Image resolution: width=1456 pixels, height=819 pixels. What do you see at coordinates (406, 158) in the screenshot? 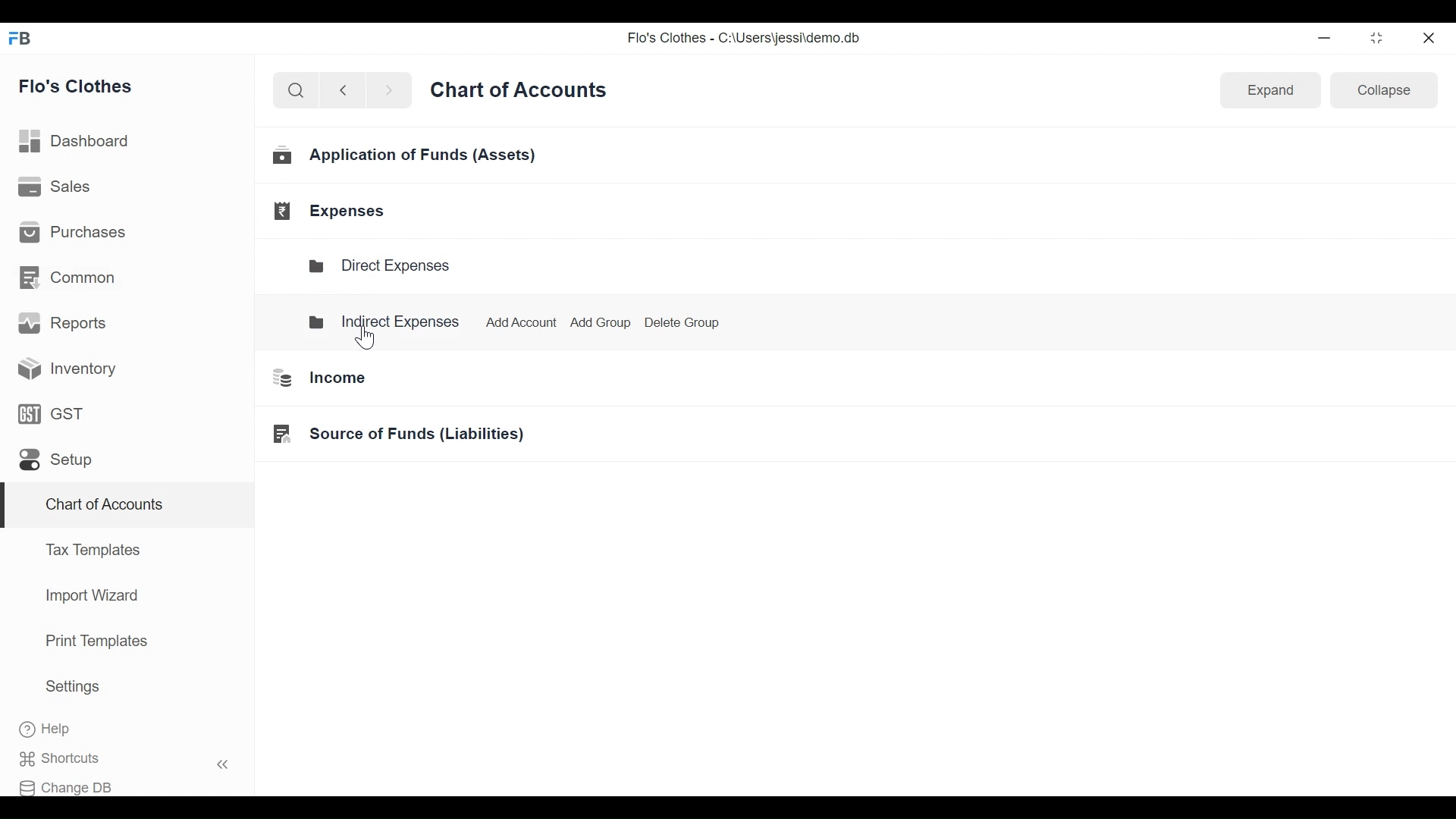
I see `Application of Funds (Assets)` at bounding box center [406, 158].